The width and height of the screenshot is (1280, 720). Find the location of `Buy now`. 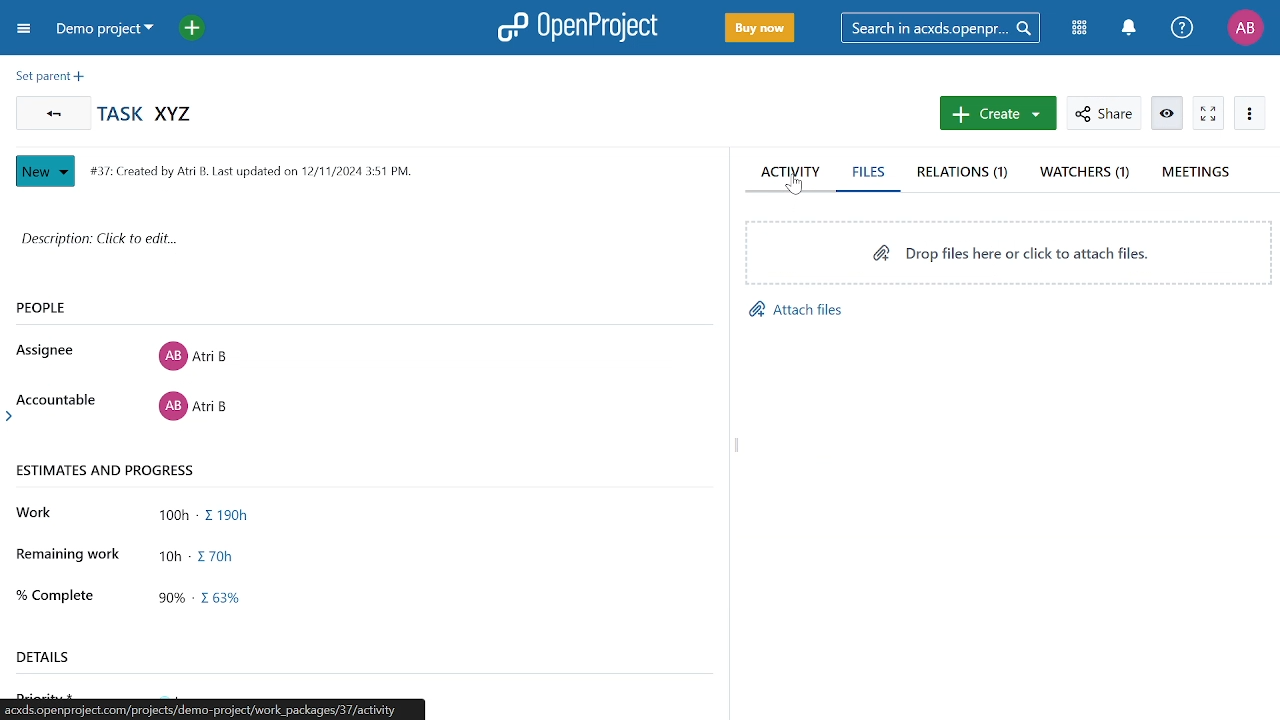

Buy now is located at coordinates (758, 27).